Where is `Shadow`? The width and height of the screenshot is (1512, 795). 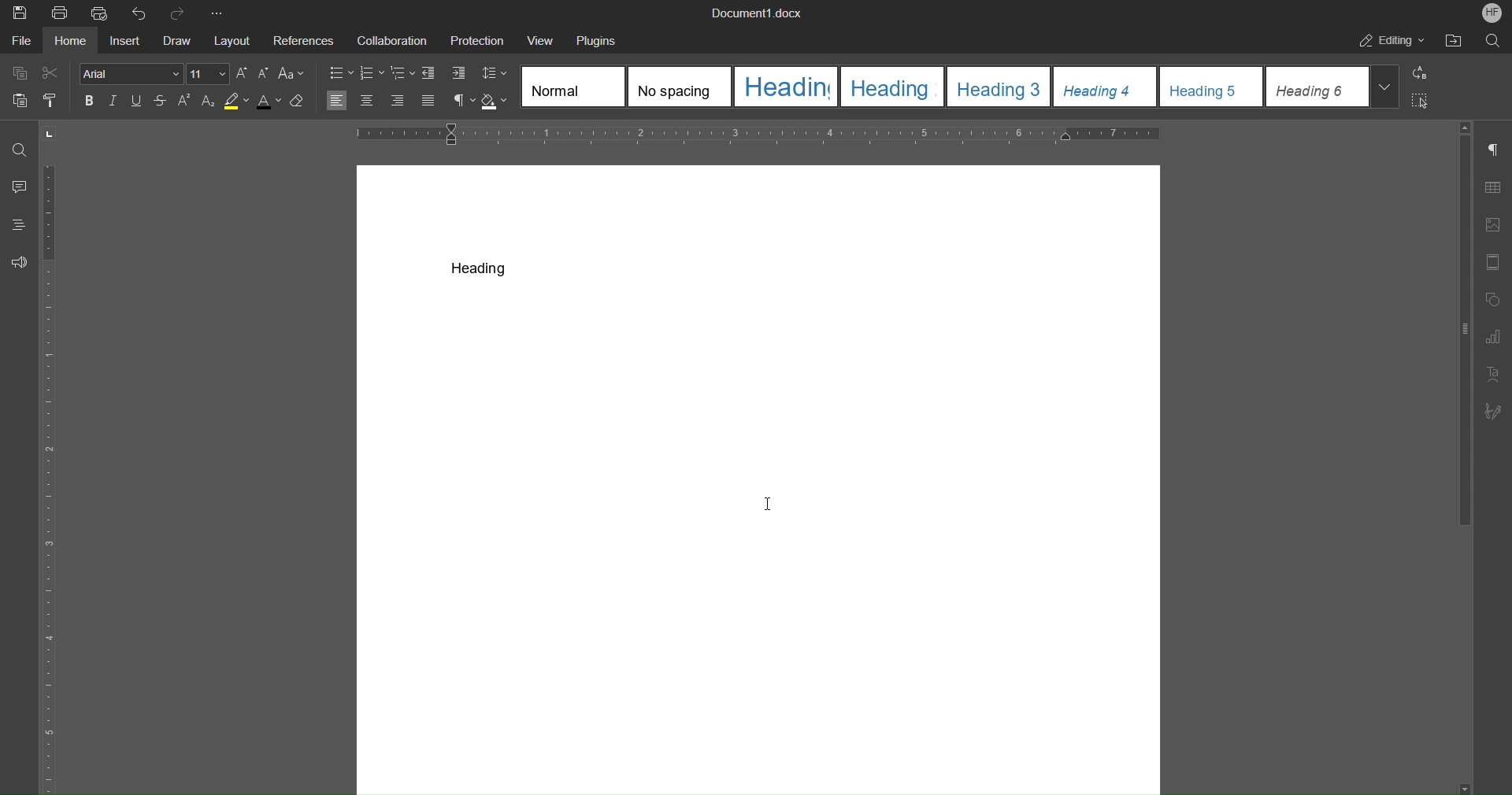 Shadow is located at coordinates (495, 102).